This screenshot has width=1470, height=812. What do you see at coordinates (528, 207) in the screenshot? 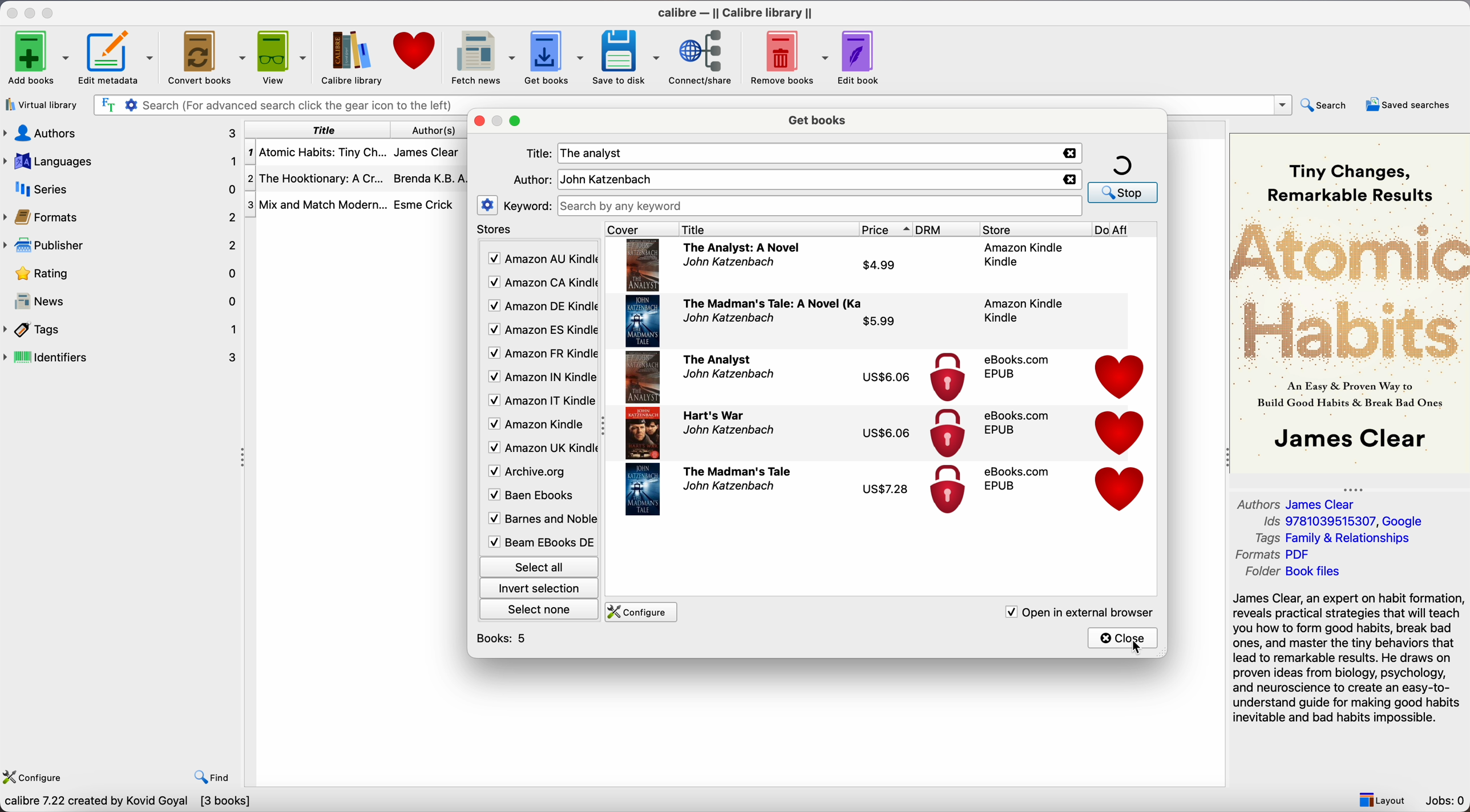
I see `keyword` at bounding box center [528, 207].